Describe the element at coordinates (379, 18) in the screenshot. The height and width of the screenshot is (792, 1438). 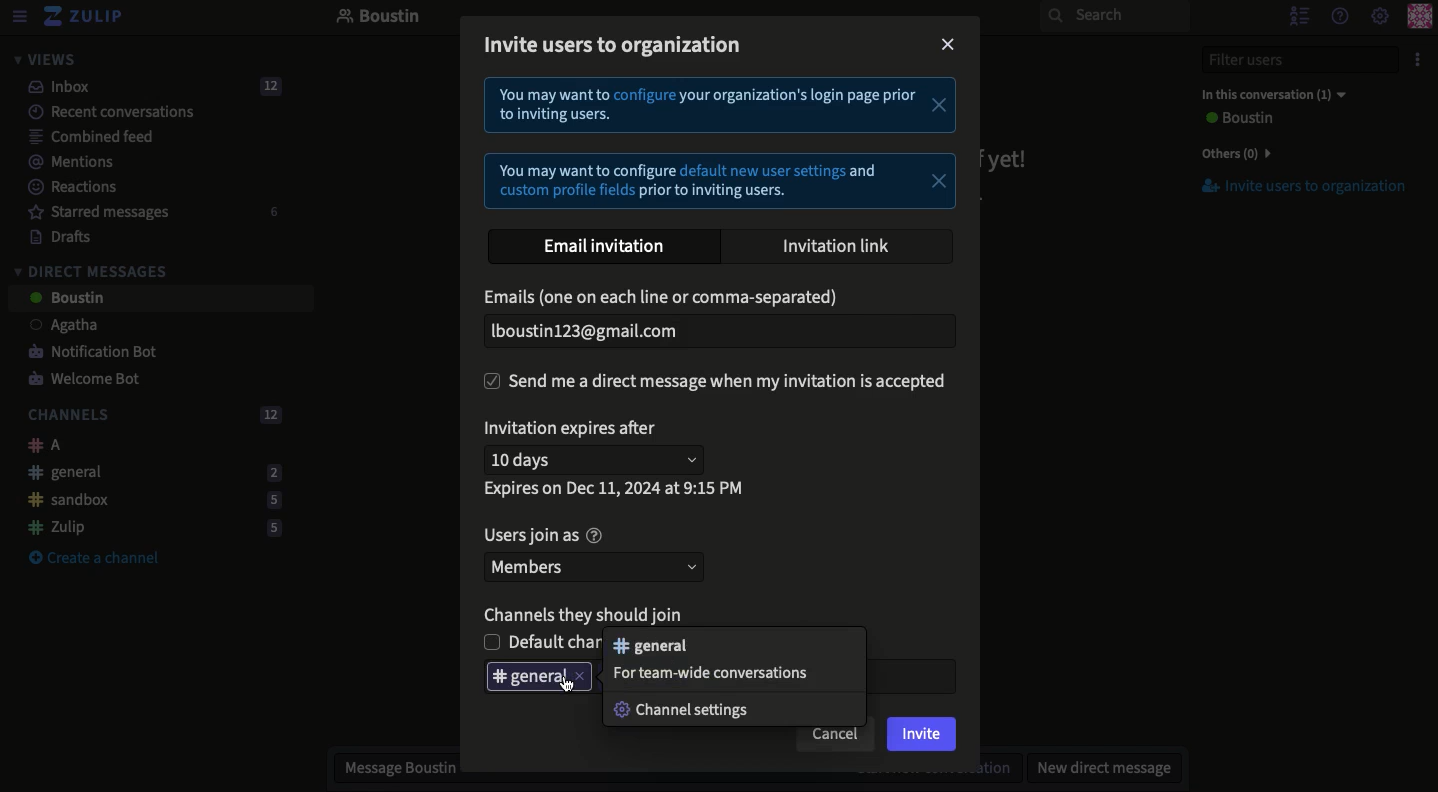
I see `Boustin` at that location.